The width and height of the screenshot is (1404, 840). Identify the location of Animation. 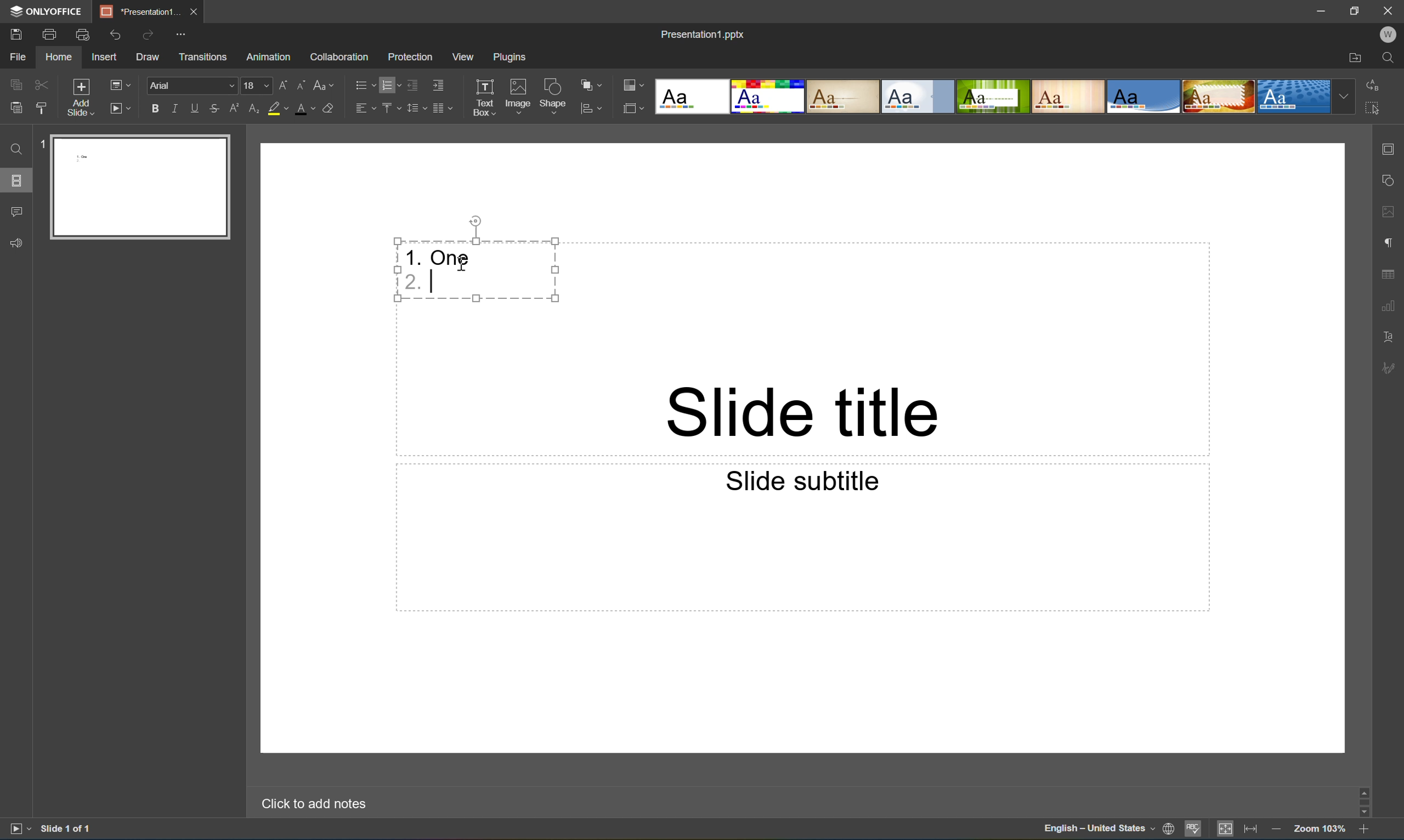
(267, 59).